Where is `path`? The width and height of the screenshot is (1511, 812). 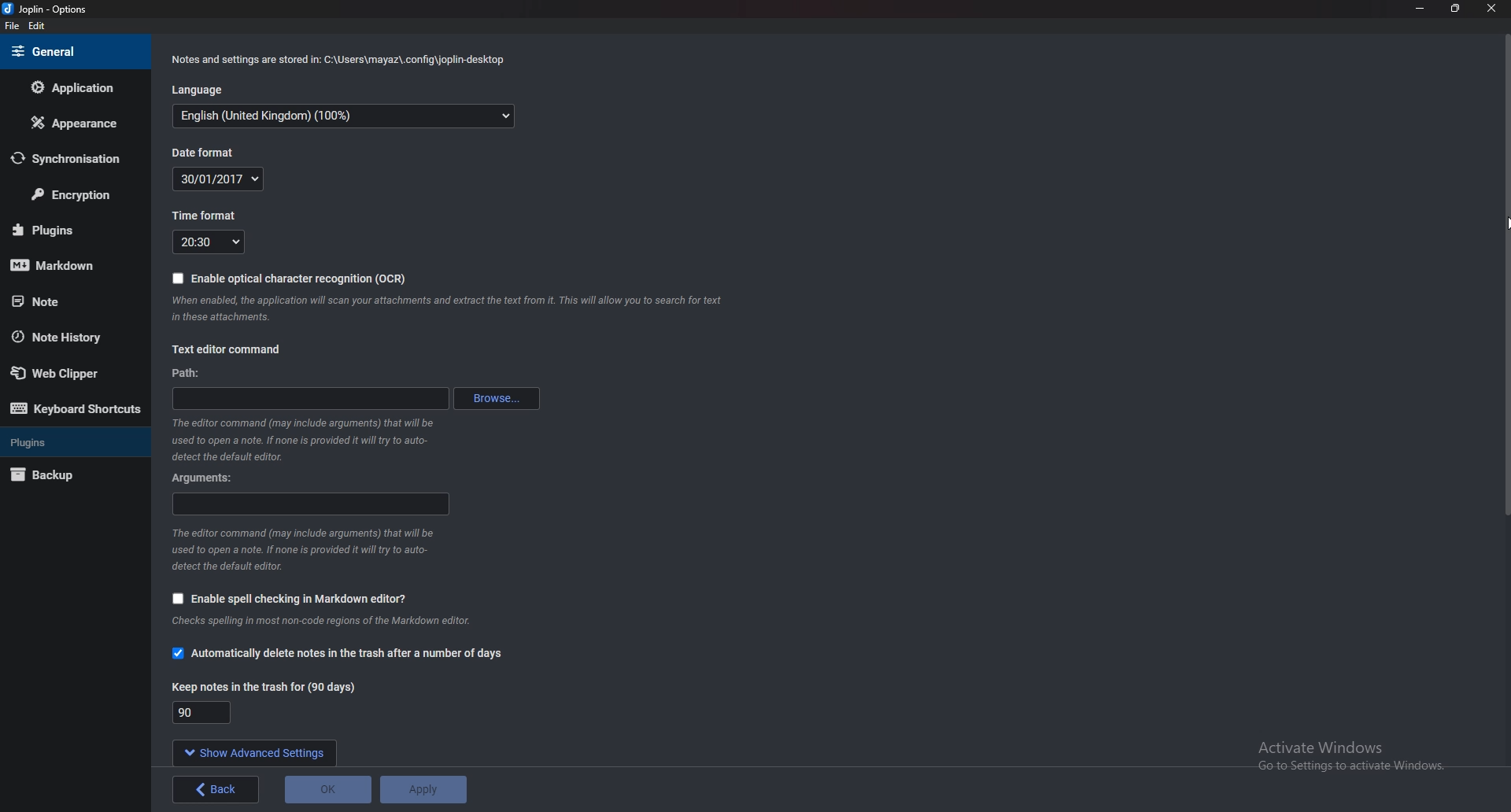
path is located at coordinates (315, 397).